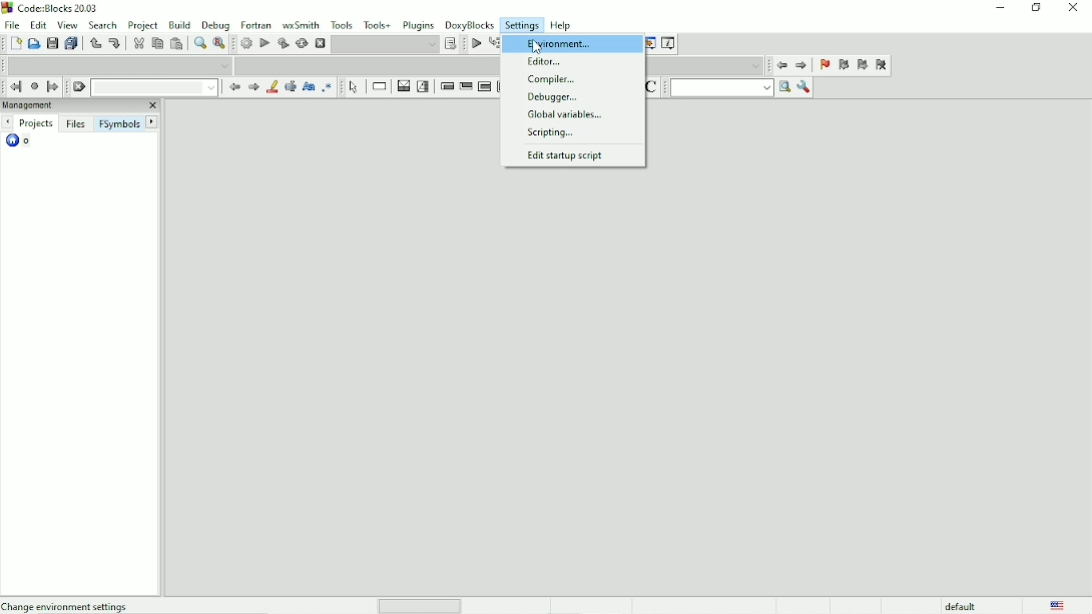 This screenshot has width=1092, height=614. I want to click on Minimize, so click(1001, 8).